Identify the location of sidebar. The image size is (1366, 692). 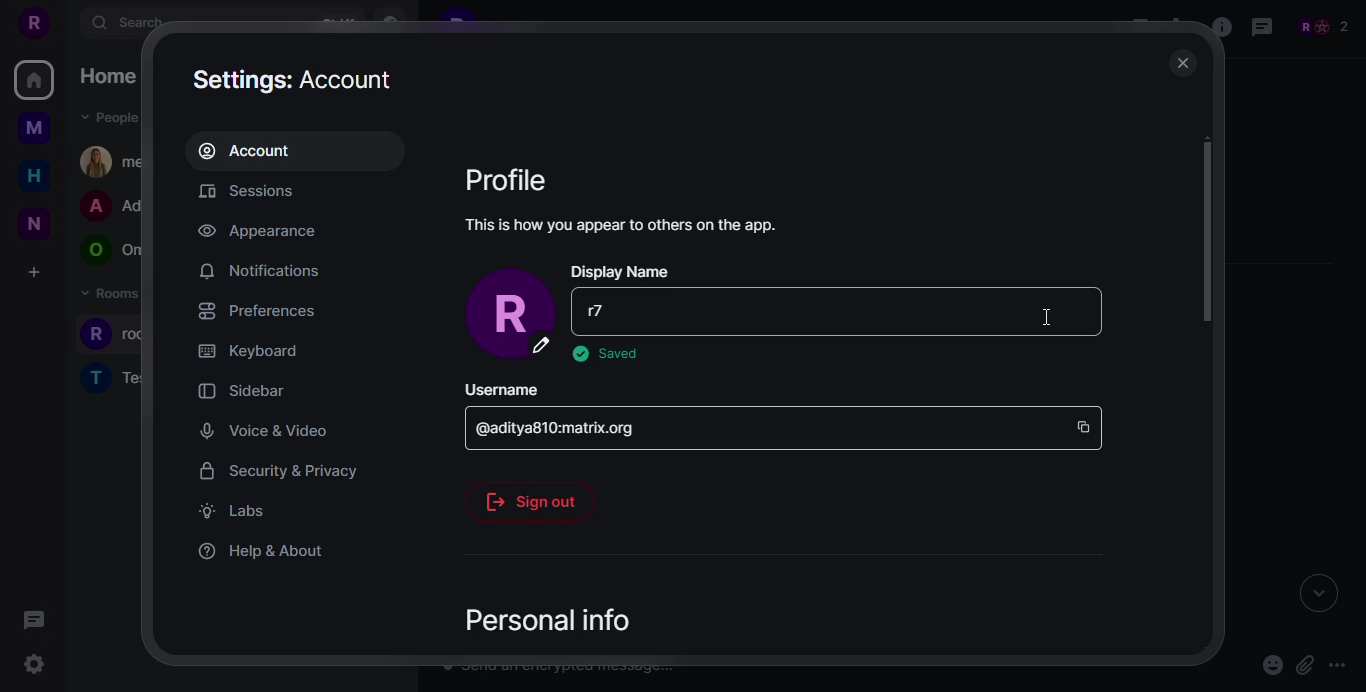
(244, 390).